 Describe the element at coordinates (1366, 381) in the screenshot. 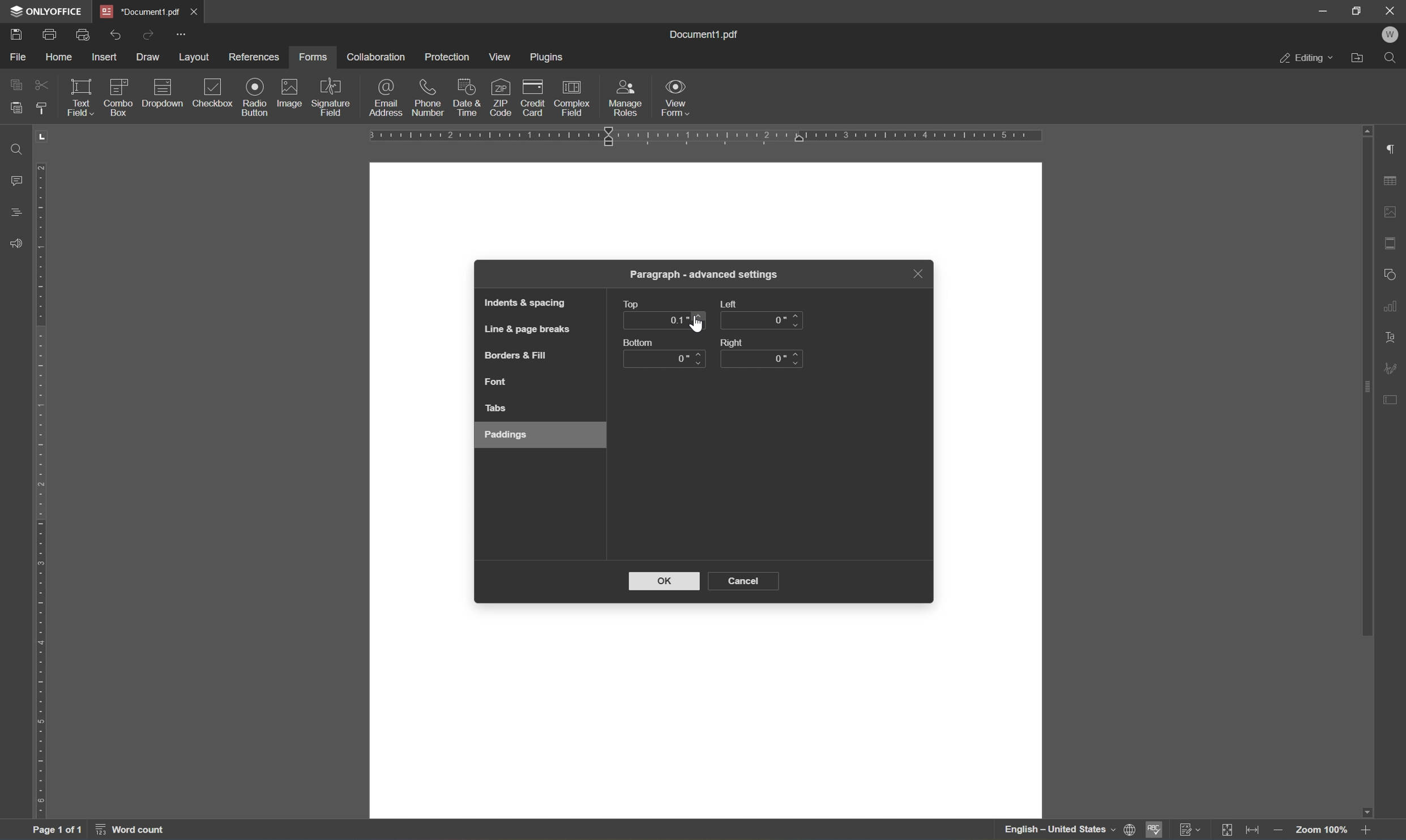

I see `scroll bar` at that location.